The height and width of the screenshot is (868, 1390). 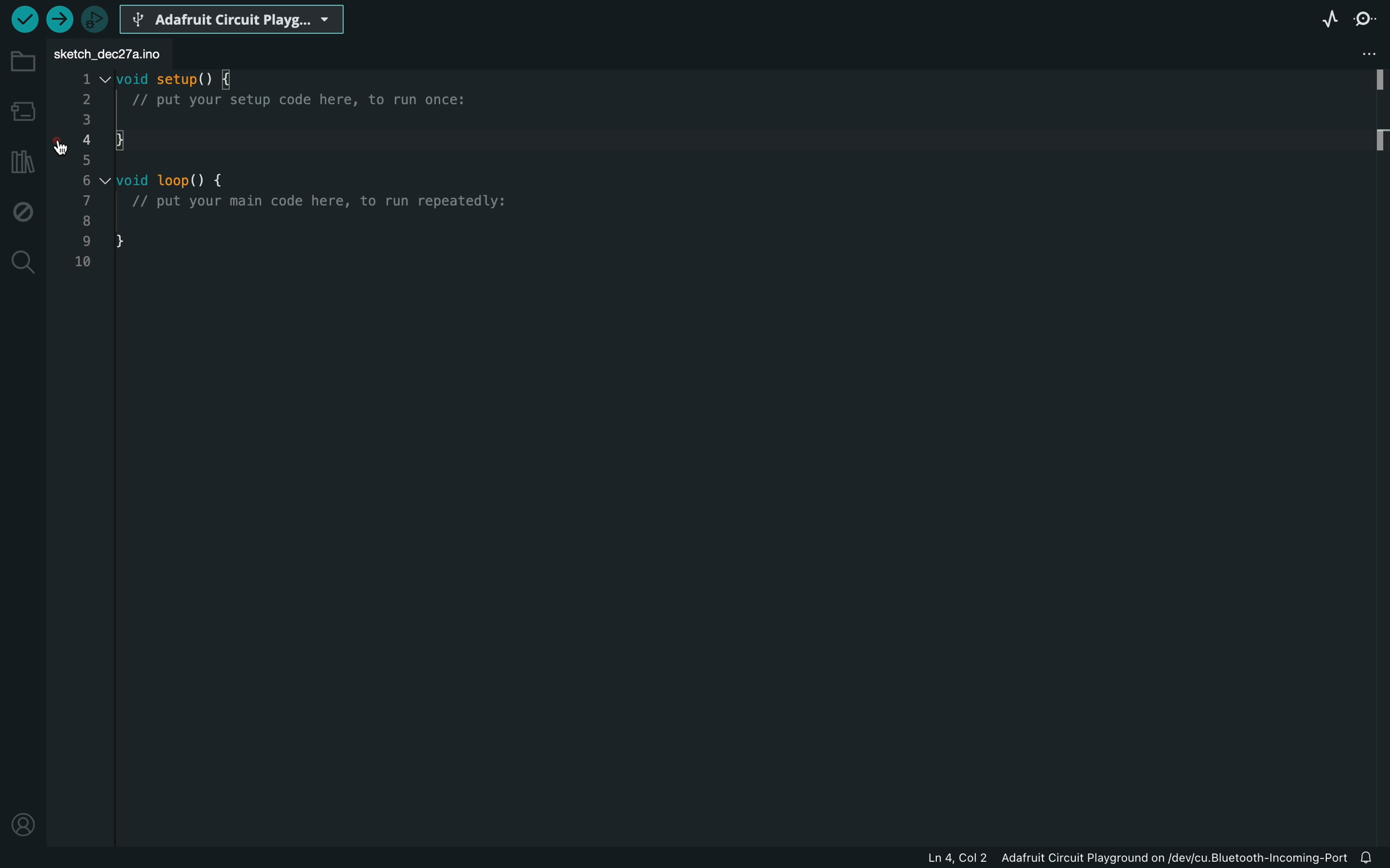 I want to click on notification, so click(x=1372, y=859).